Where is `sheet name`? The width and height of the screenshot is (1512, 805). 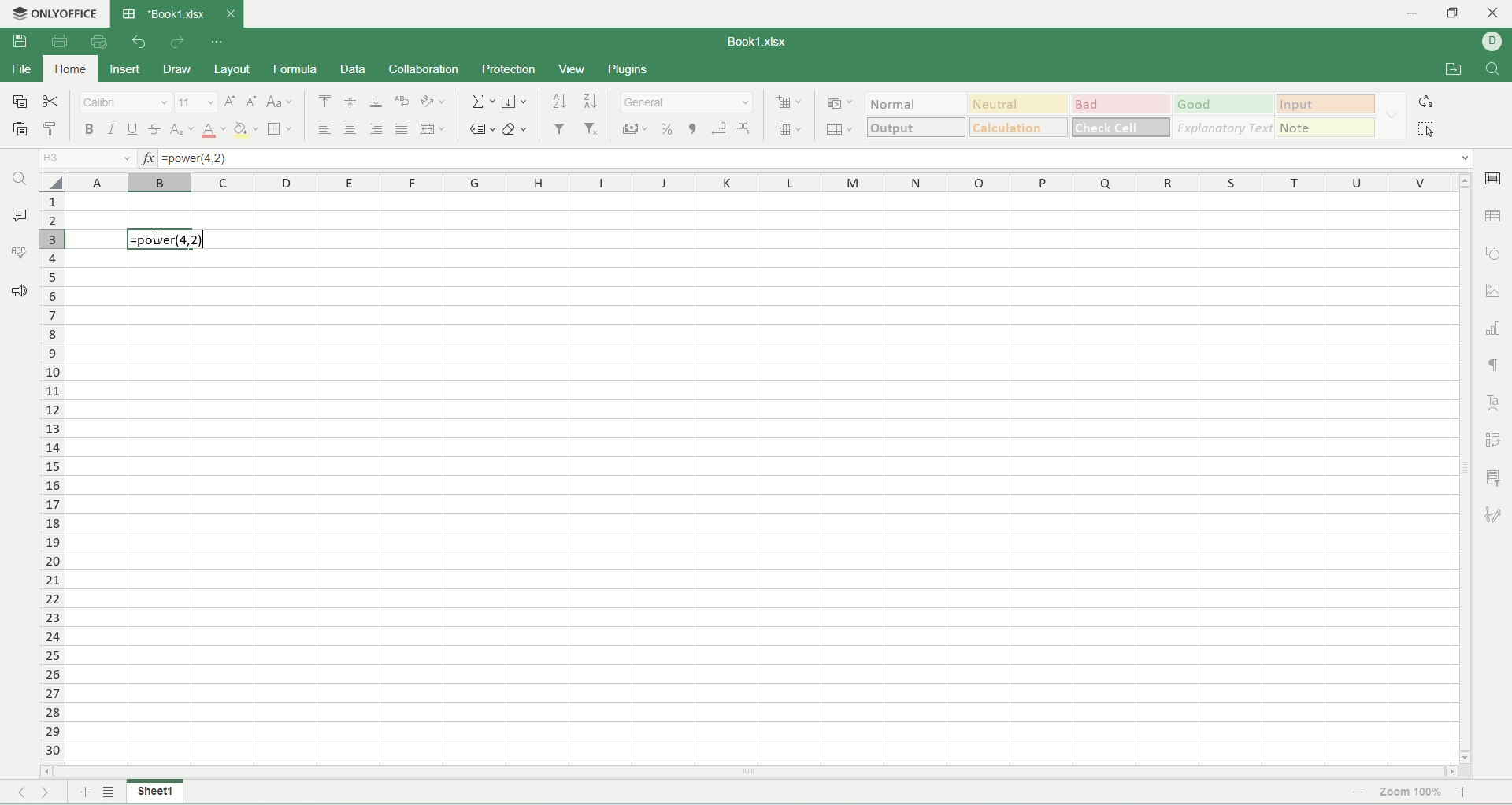 sheet name is located at coordinates (155, 792).